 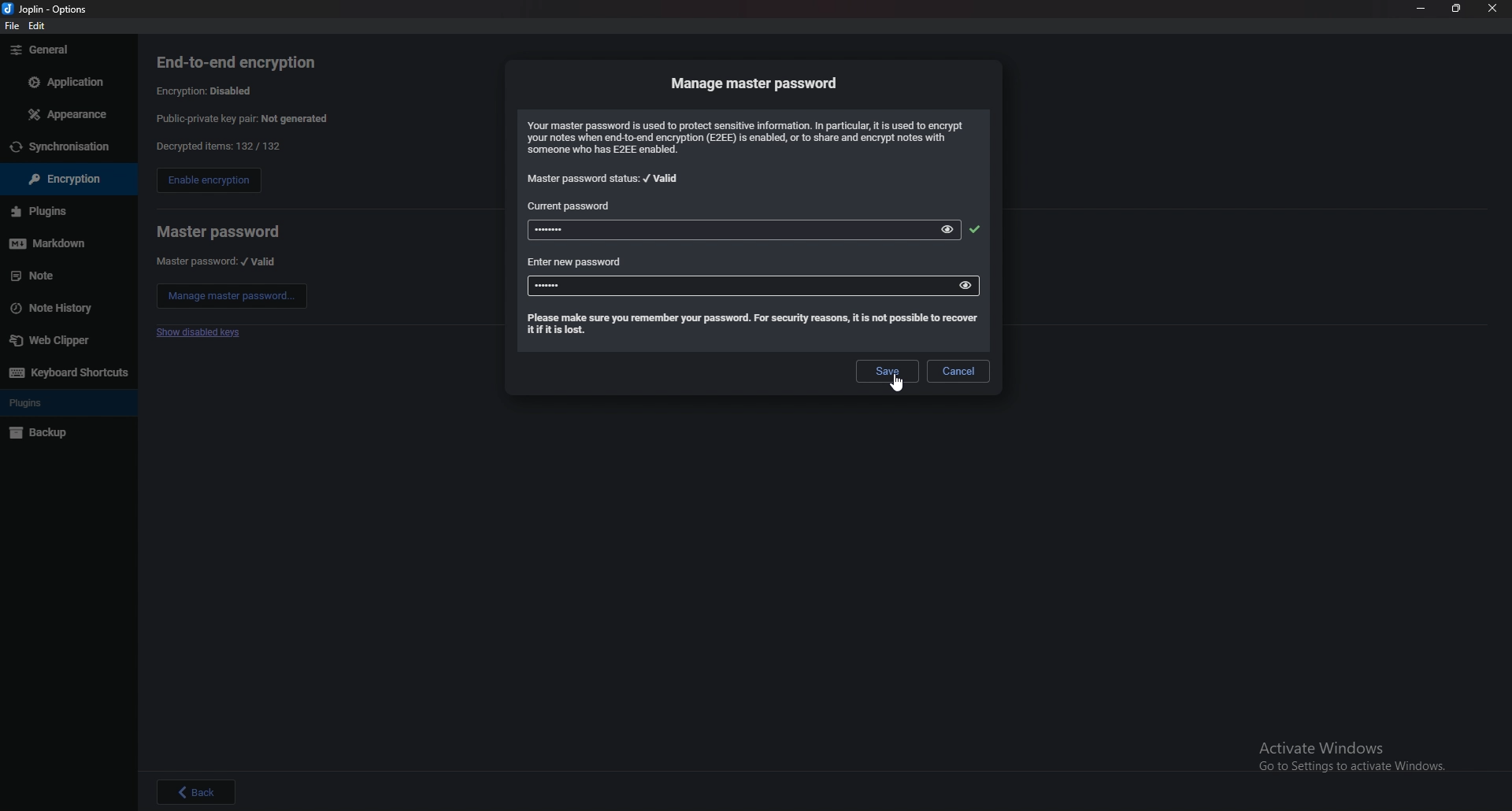 What do you see at coordinates (248, 62) in the screenshot?
I see `end to end encryption` at bounding box center [248, 62].